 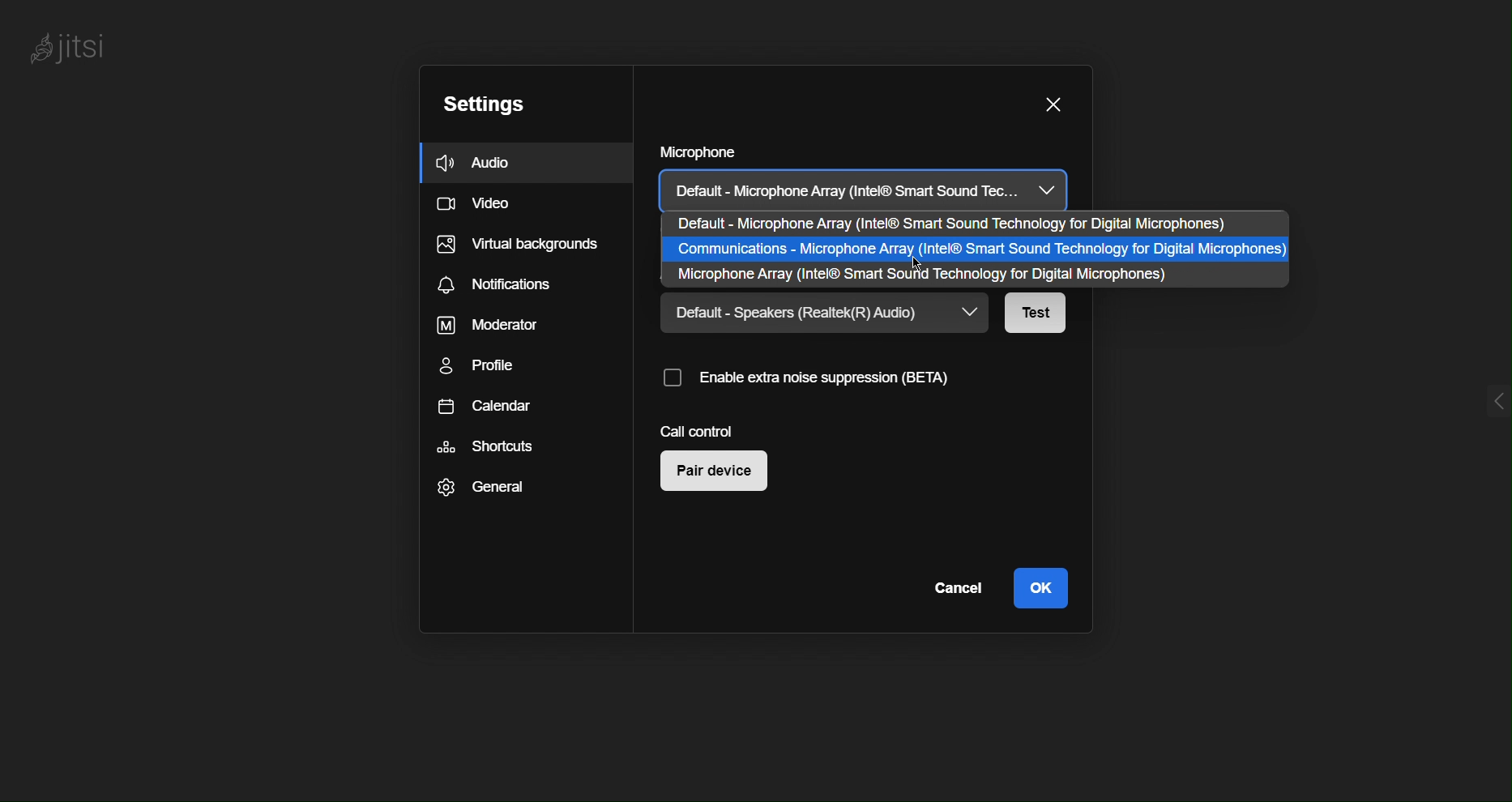 I want to click on Cancel, so click(x=954, y=591).